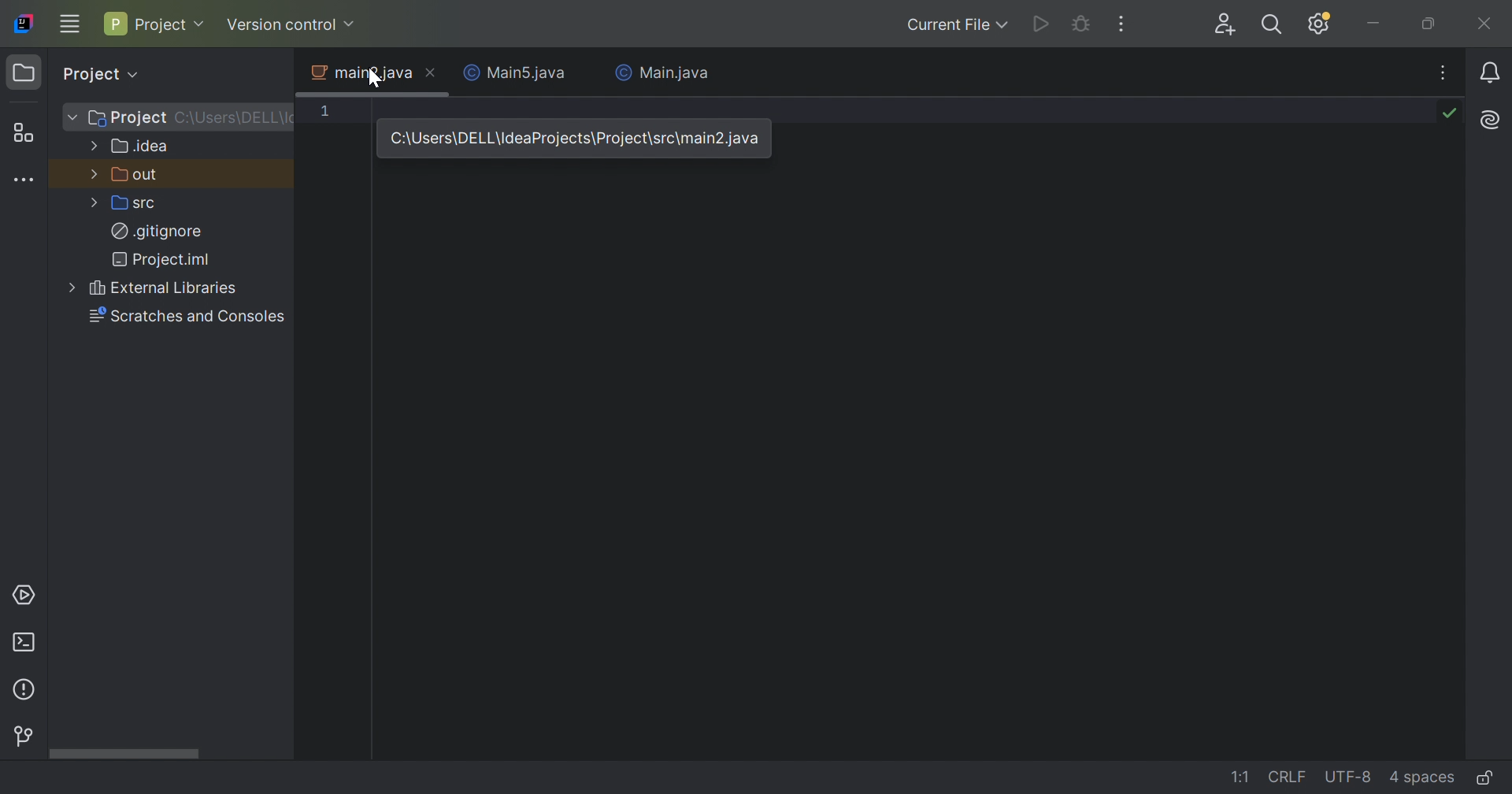  What do you see at coordinates (1486, 24) in the screenshot?
I see `Close` at bounding box center [1486, 24].